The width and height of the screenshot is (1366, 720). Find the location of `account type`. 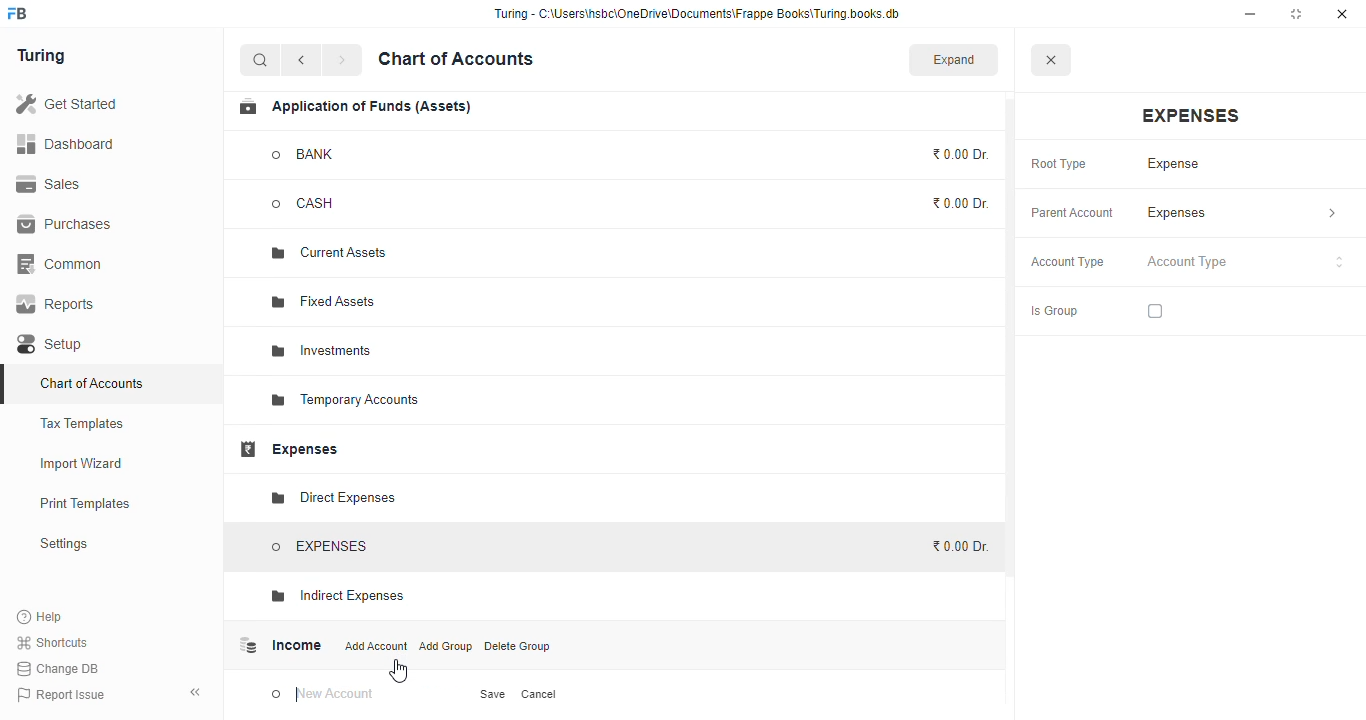

account type is located at coordinates (1068, 262).